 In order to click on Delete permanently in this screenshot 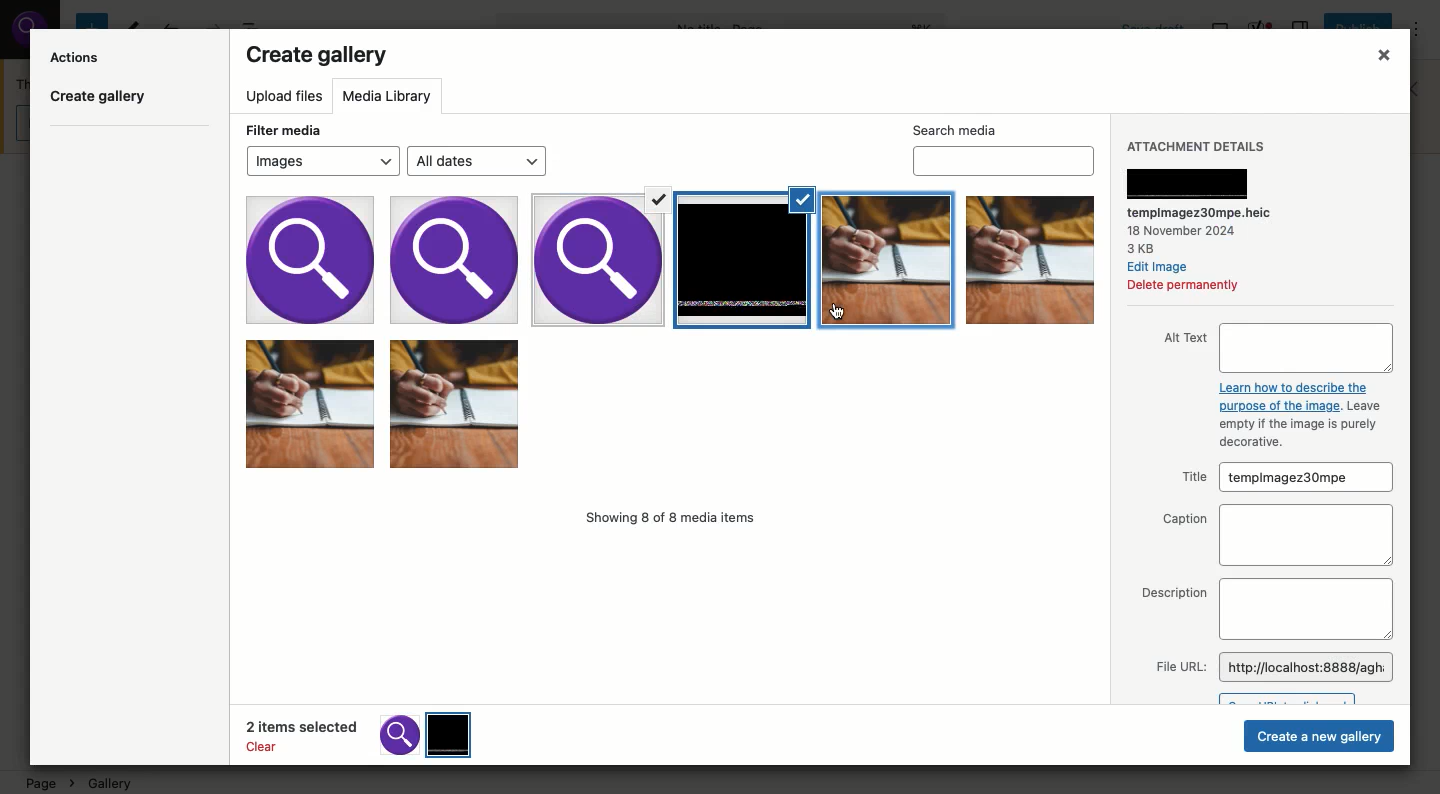, I will do `click(1190, 286)`.